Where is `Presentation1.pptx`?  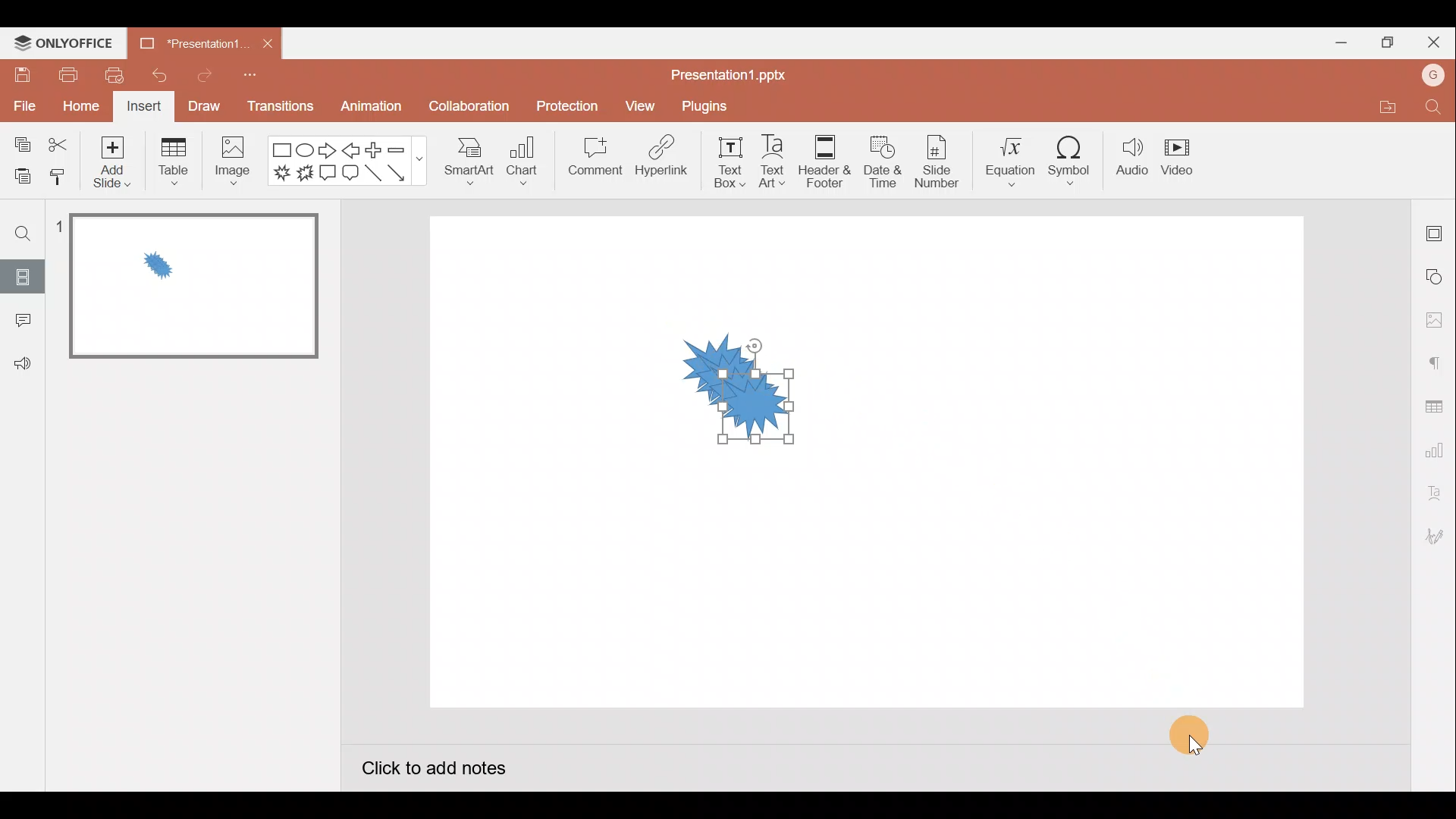 Presentation1.pptx is located at coordinates (729, 74).